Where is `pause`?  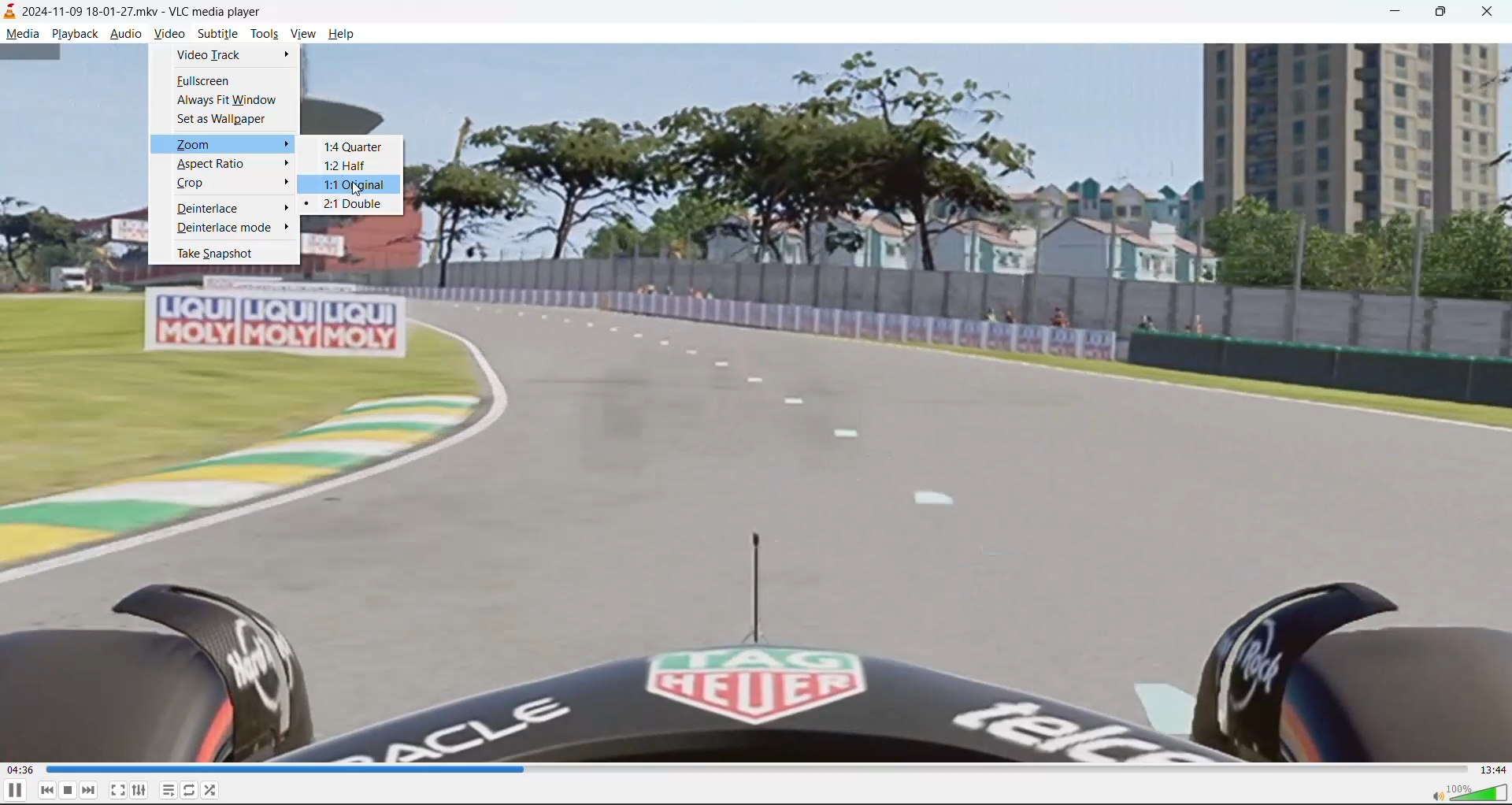 pause is located at coordinates (17, 792).